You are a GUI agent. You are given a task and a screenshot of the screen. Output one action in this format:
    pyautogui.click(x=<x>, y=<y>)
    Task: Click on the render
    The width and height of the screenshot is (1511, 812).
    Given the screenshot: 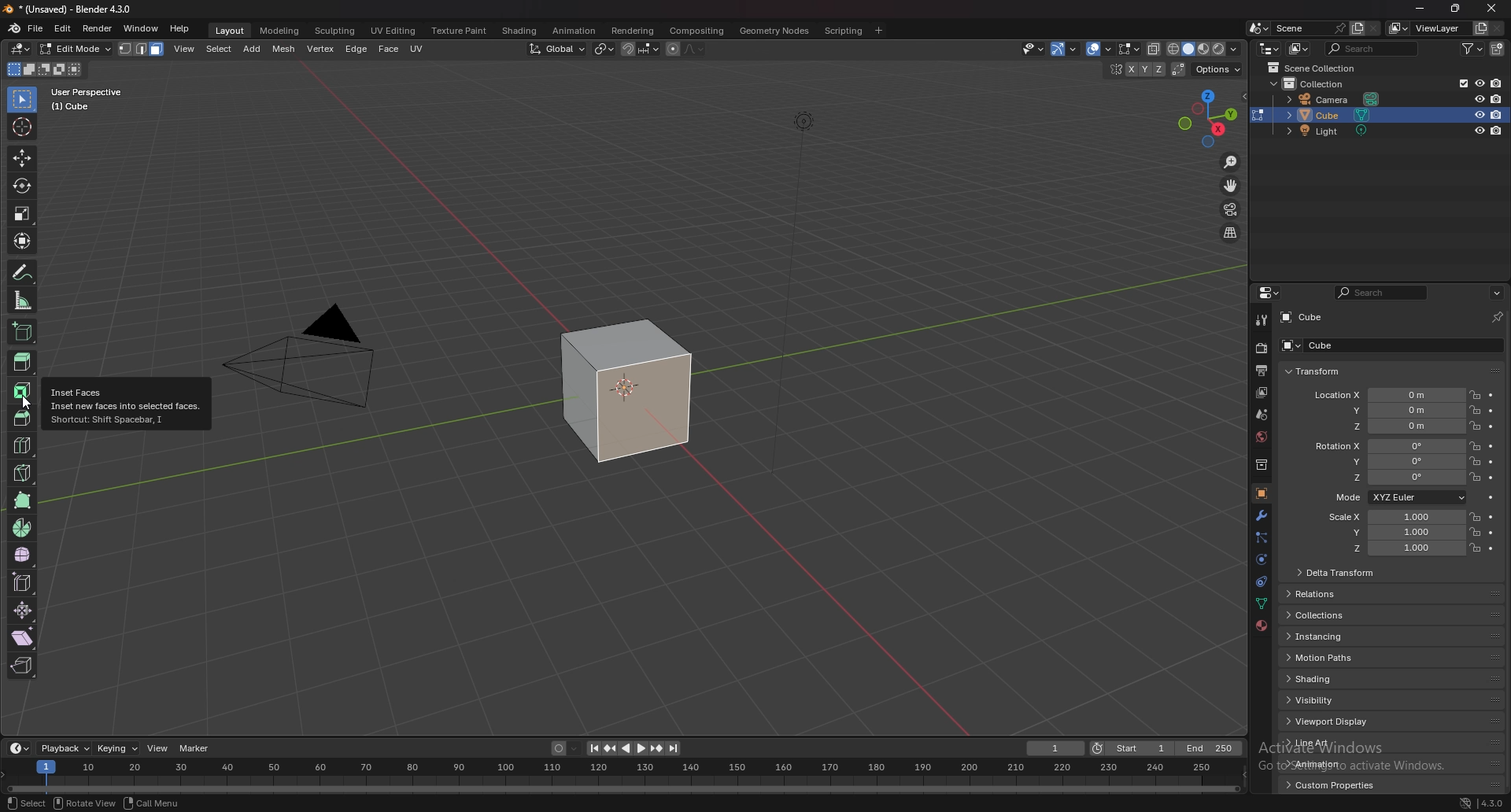 What is the action you would take?
    pyautogui.click(x=98, y=29)
    